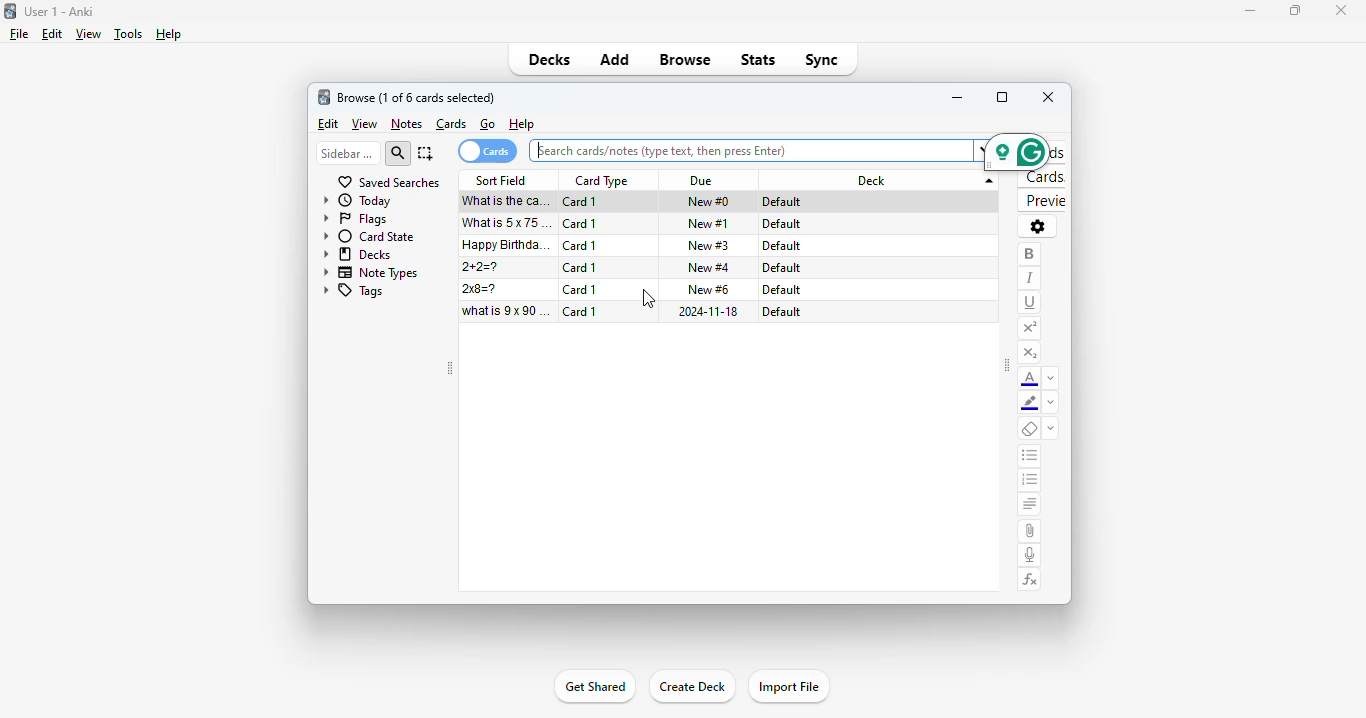 The height and width of the screenshot is (718, 1366). I want to click on create deck, so click(692, 687).